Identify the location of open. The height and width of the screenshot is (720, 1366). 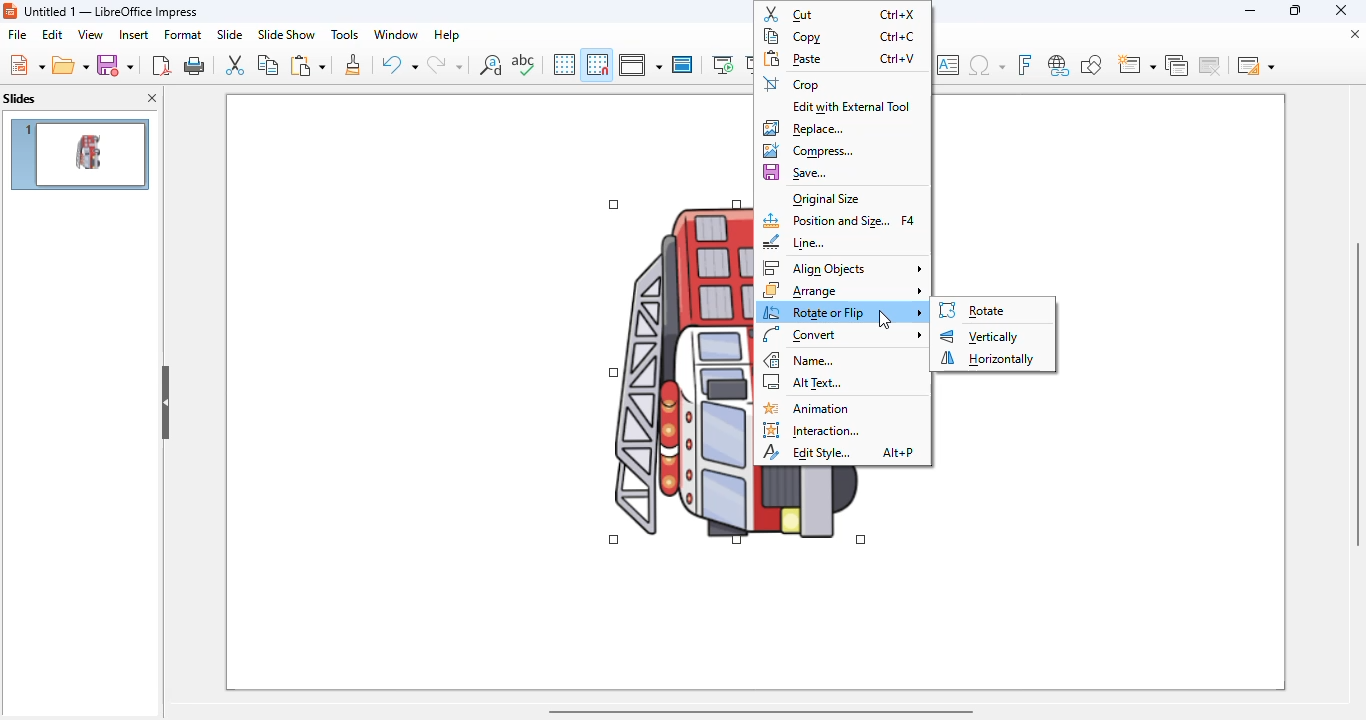
(71, 66).